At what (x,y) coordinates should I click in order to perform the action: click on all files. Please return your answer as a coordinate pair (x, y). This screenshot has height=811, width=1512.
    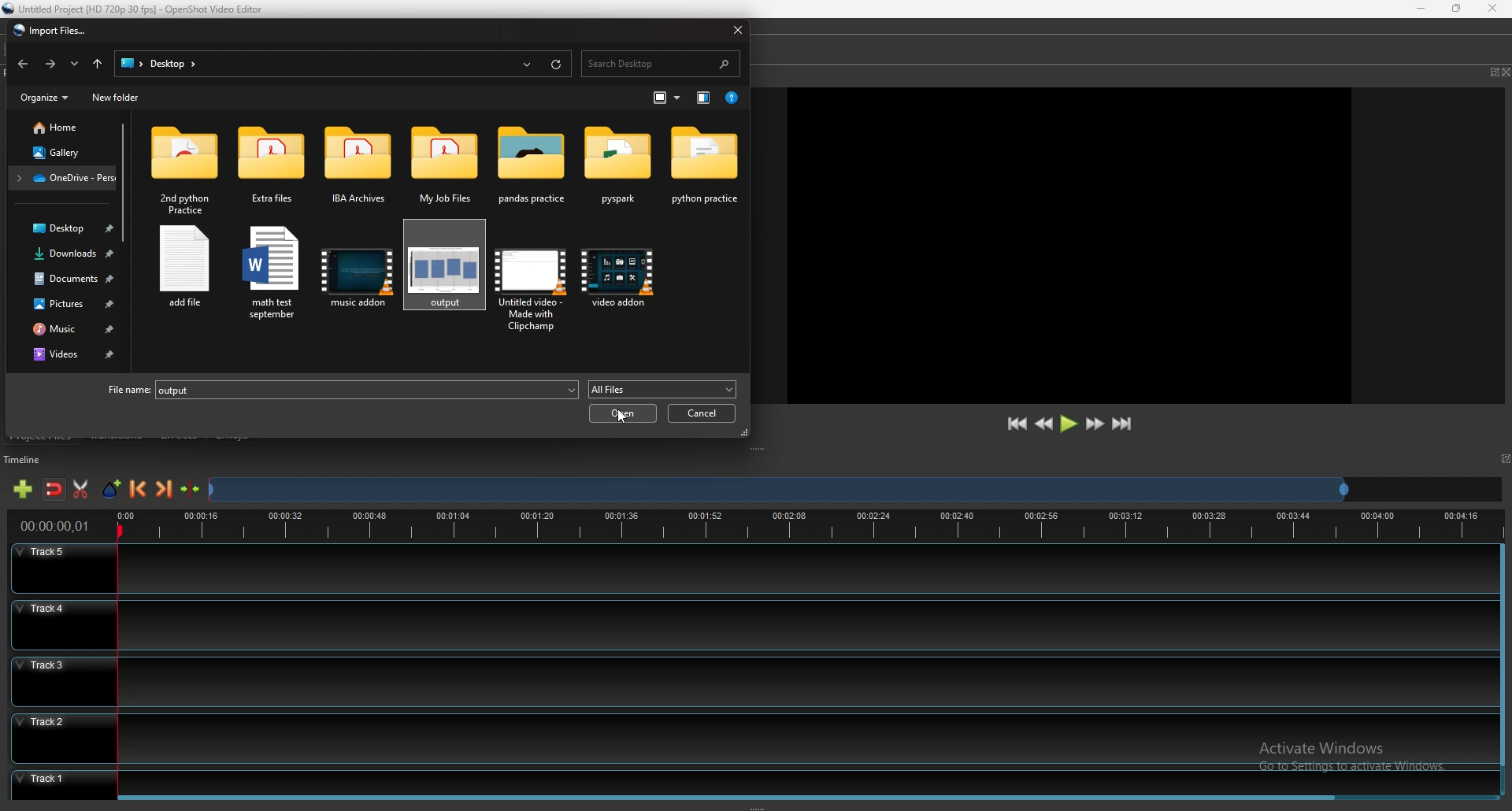
    Looking at the image, I should click on (663, 390).